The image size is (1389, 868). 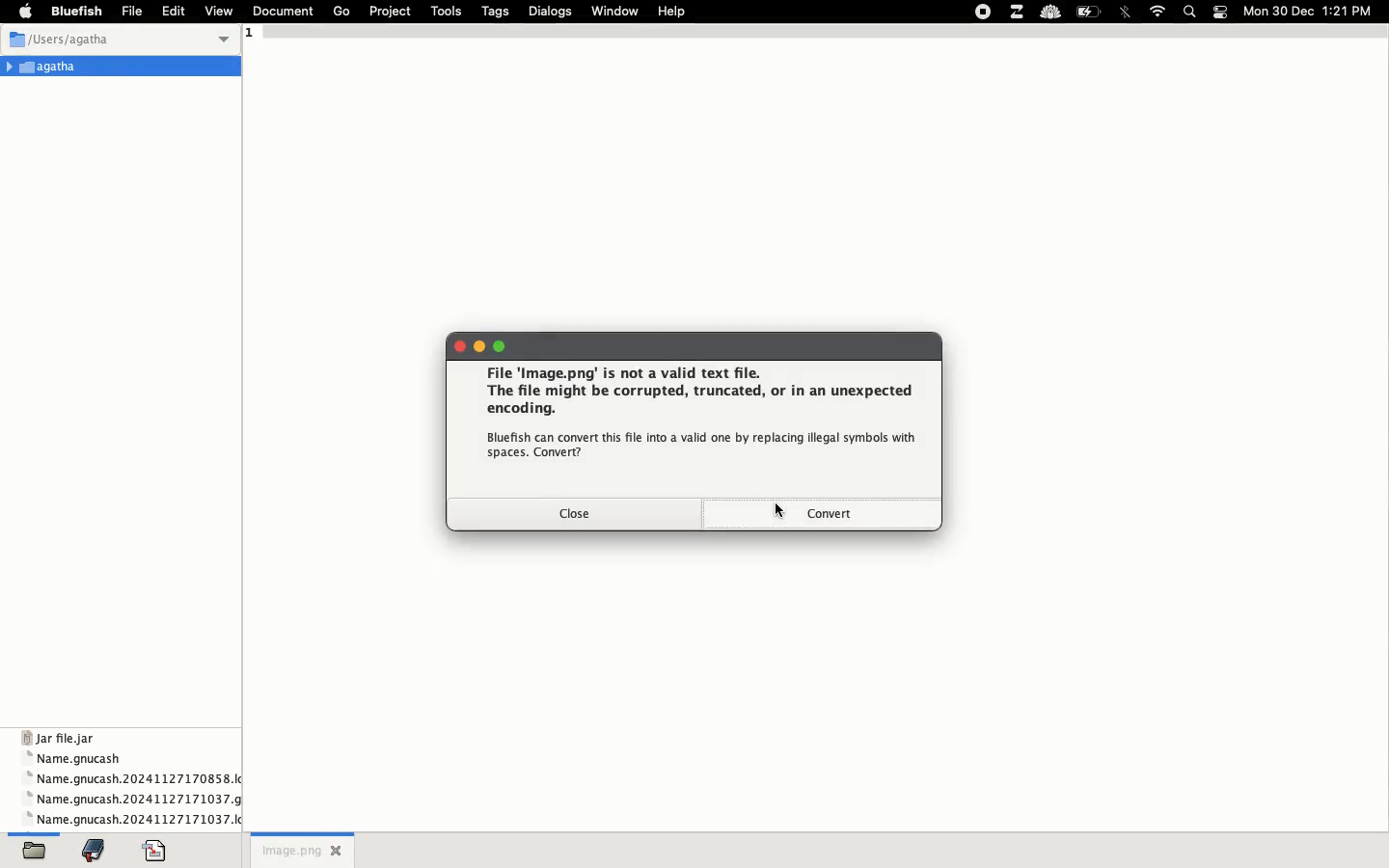 I want to click on document , so click(x=288, y=12).